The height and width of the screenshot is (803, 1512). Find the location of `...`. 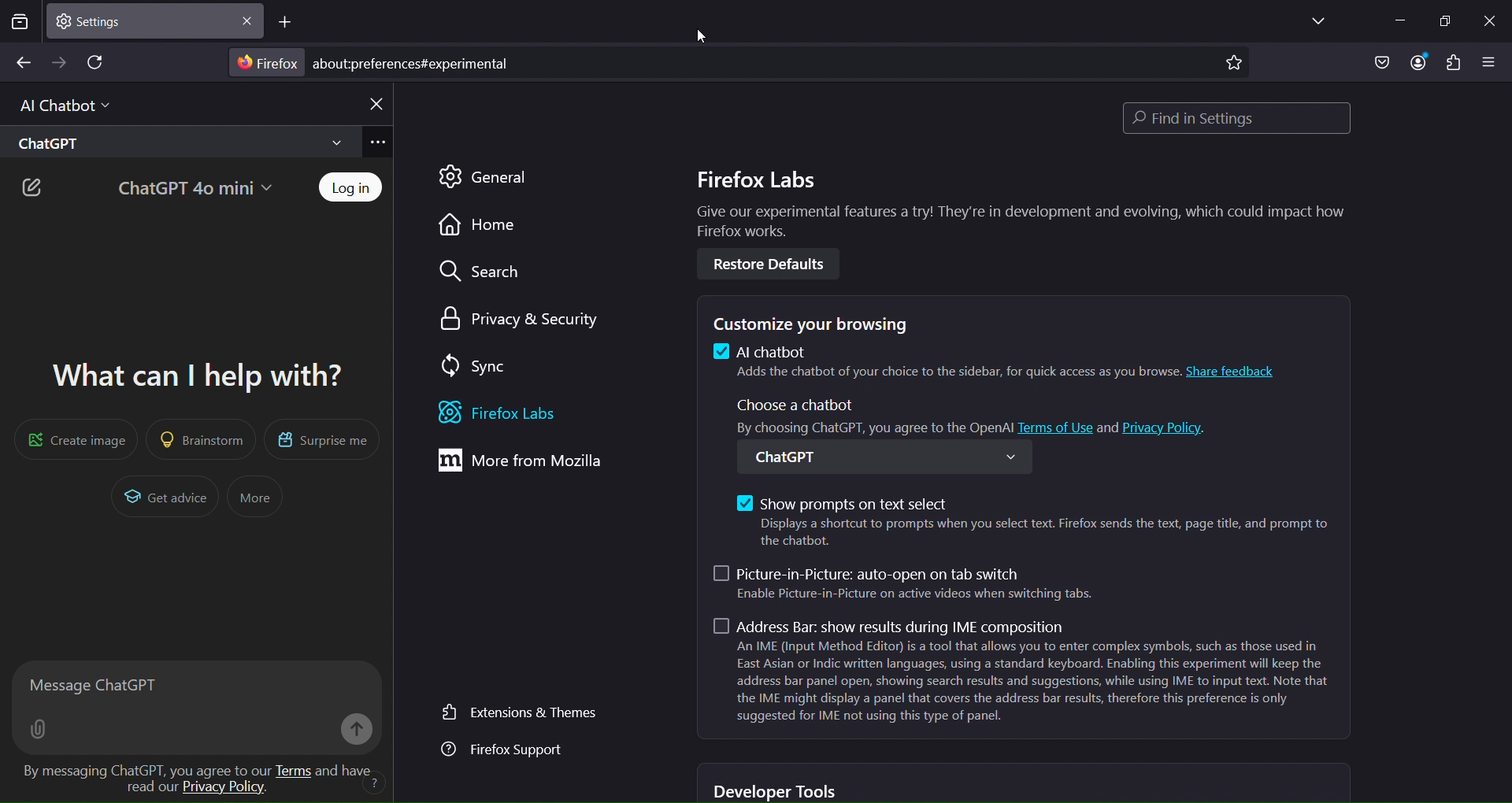

... is located at coordinates (380, 142).